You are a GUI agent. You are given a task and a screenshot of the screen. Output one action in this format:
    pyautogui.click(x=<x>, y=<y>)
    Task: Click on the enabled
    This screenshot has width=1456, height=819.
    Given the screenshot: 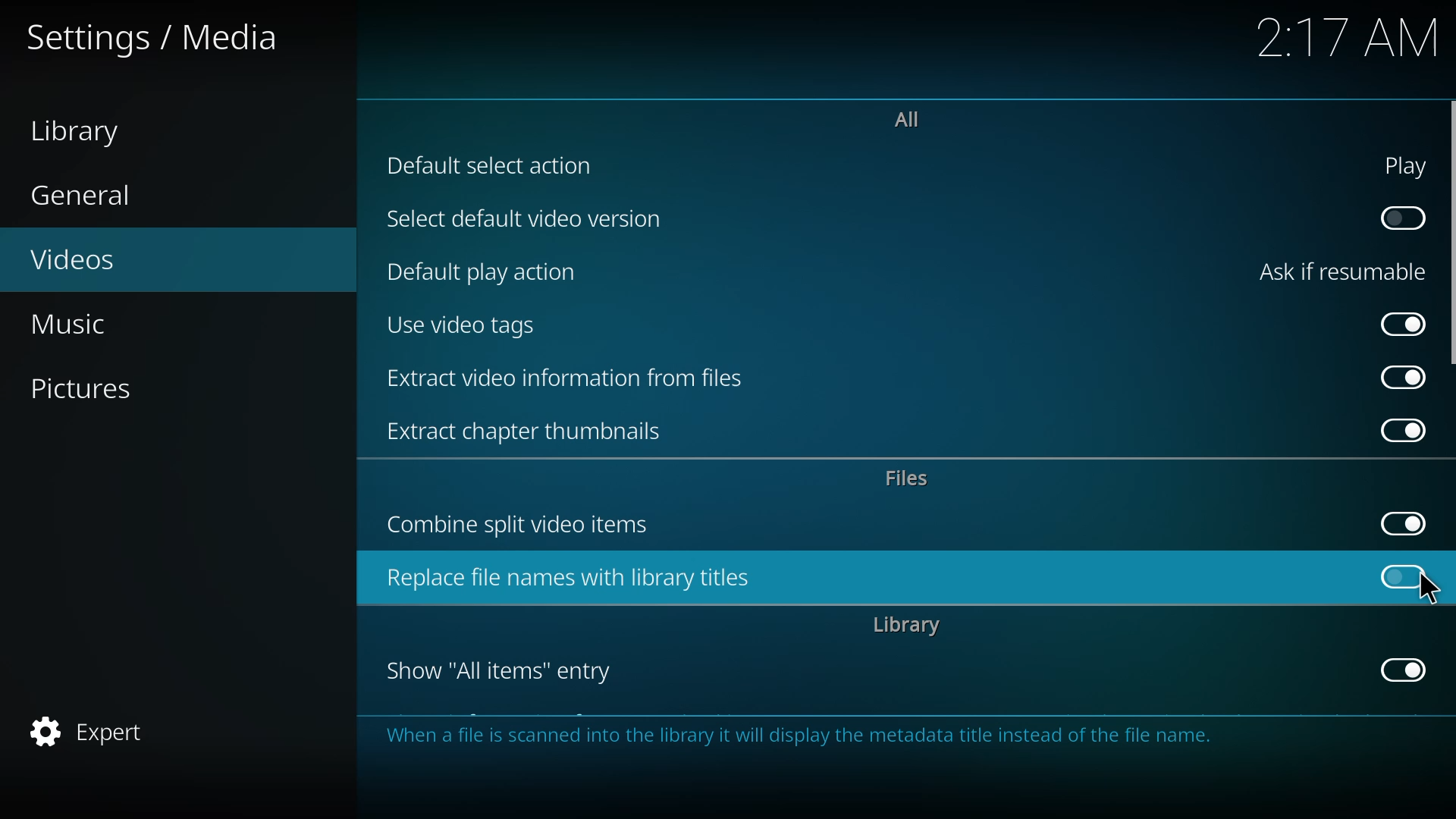 What is the action you would take?
    pyautogui.click(x=1401, y=521)
    